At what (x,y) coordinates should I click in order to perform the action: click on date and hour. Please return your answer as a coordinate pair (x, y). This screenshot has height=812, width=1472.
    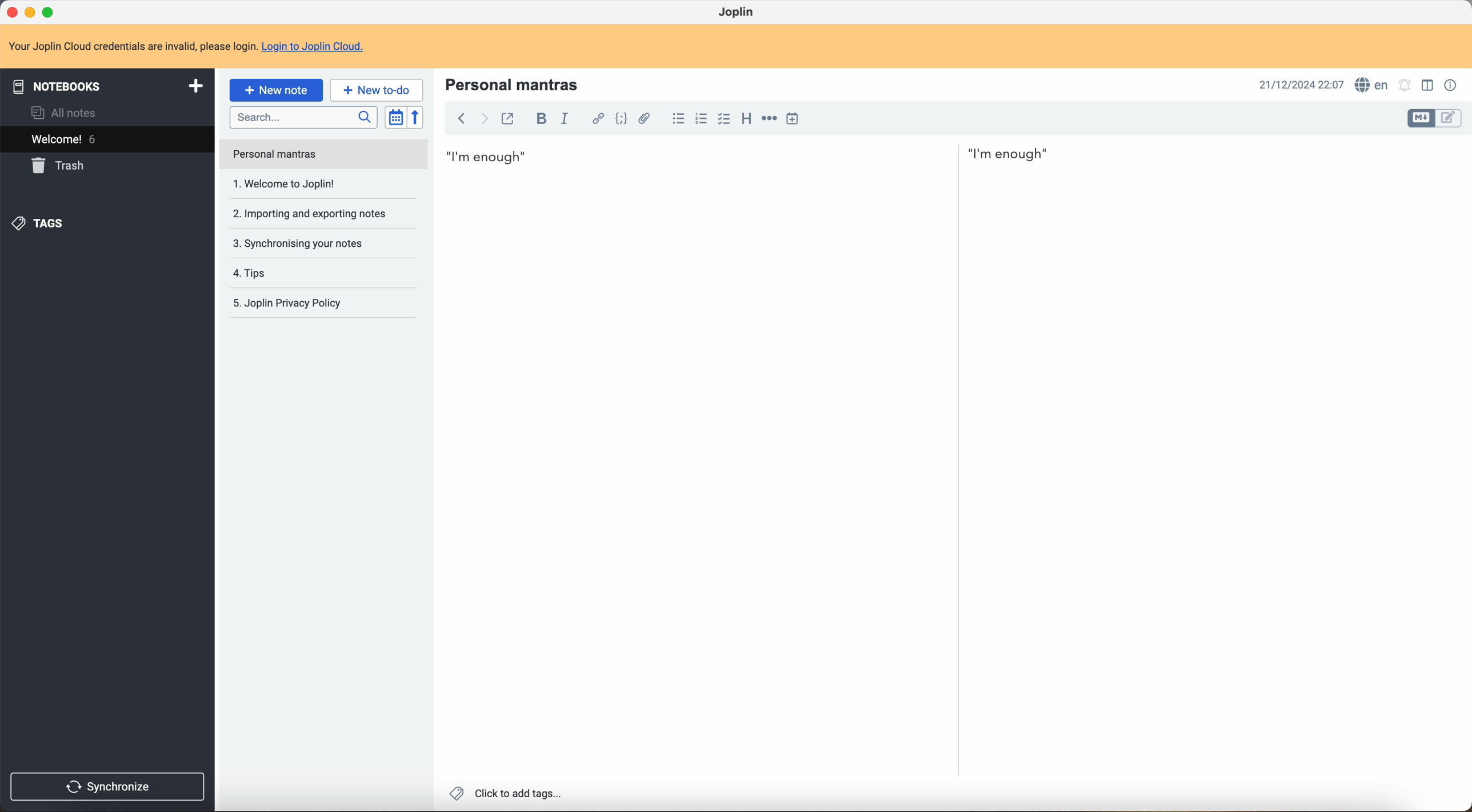
    Looking at the image, I should click on (1297, 83).